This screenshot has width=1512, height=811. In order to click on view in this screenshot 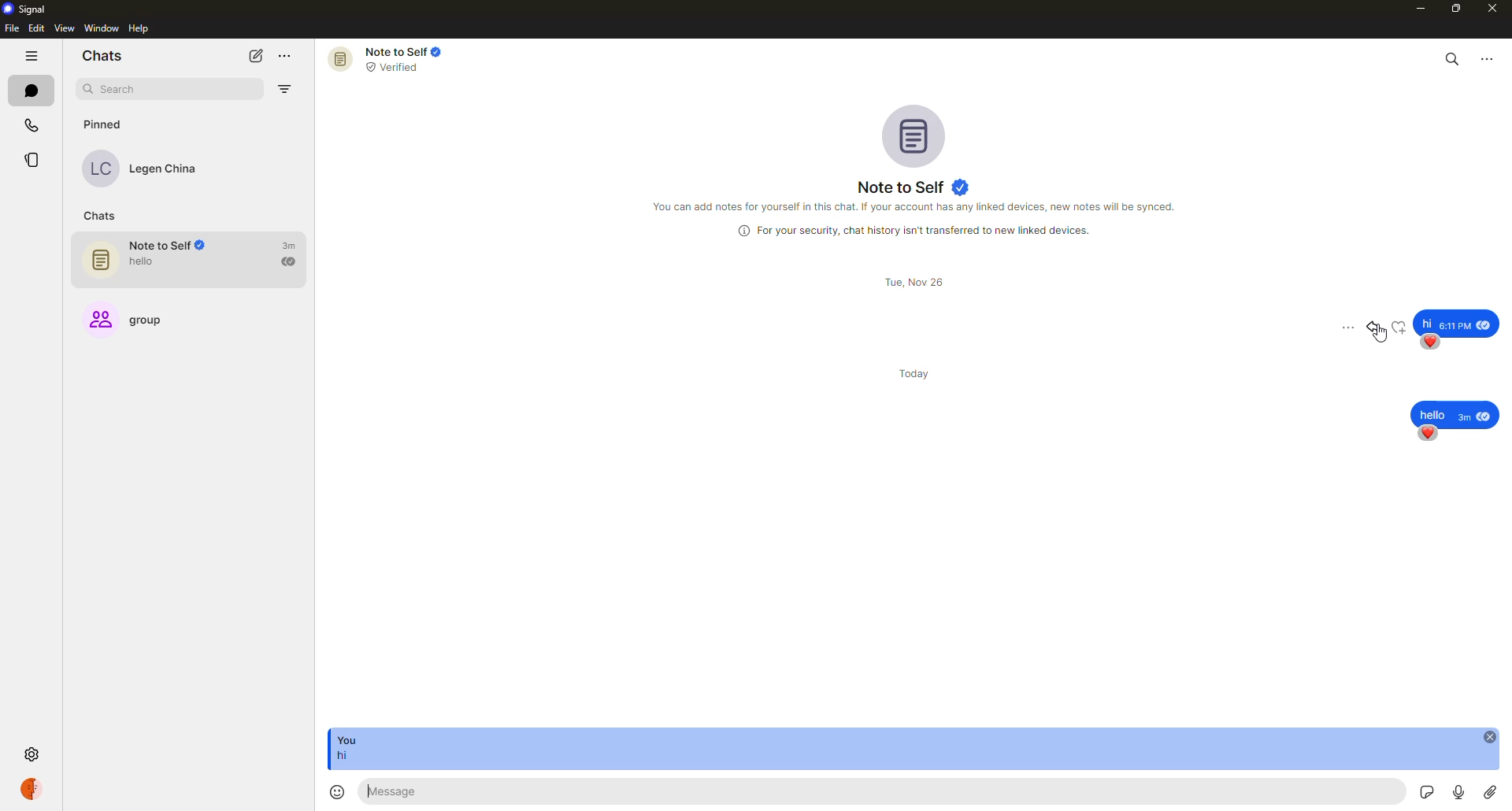, I will do `click(62, 28)`.